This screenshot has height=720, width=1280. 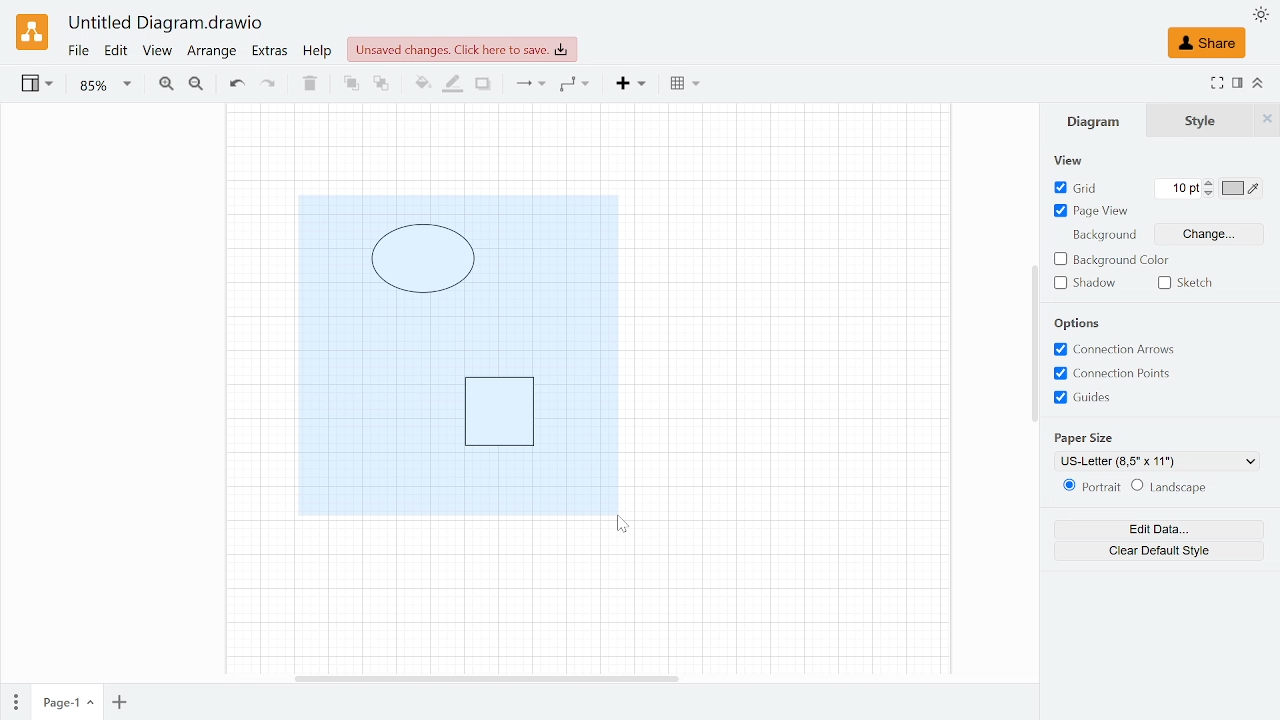 What do you see at coordinates (236, 85) in the screenshot?
I see `Undo` at bounding box center [236, 85].